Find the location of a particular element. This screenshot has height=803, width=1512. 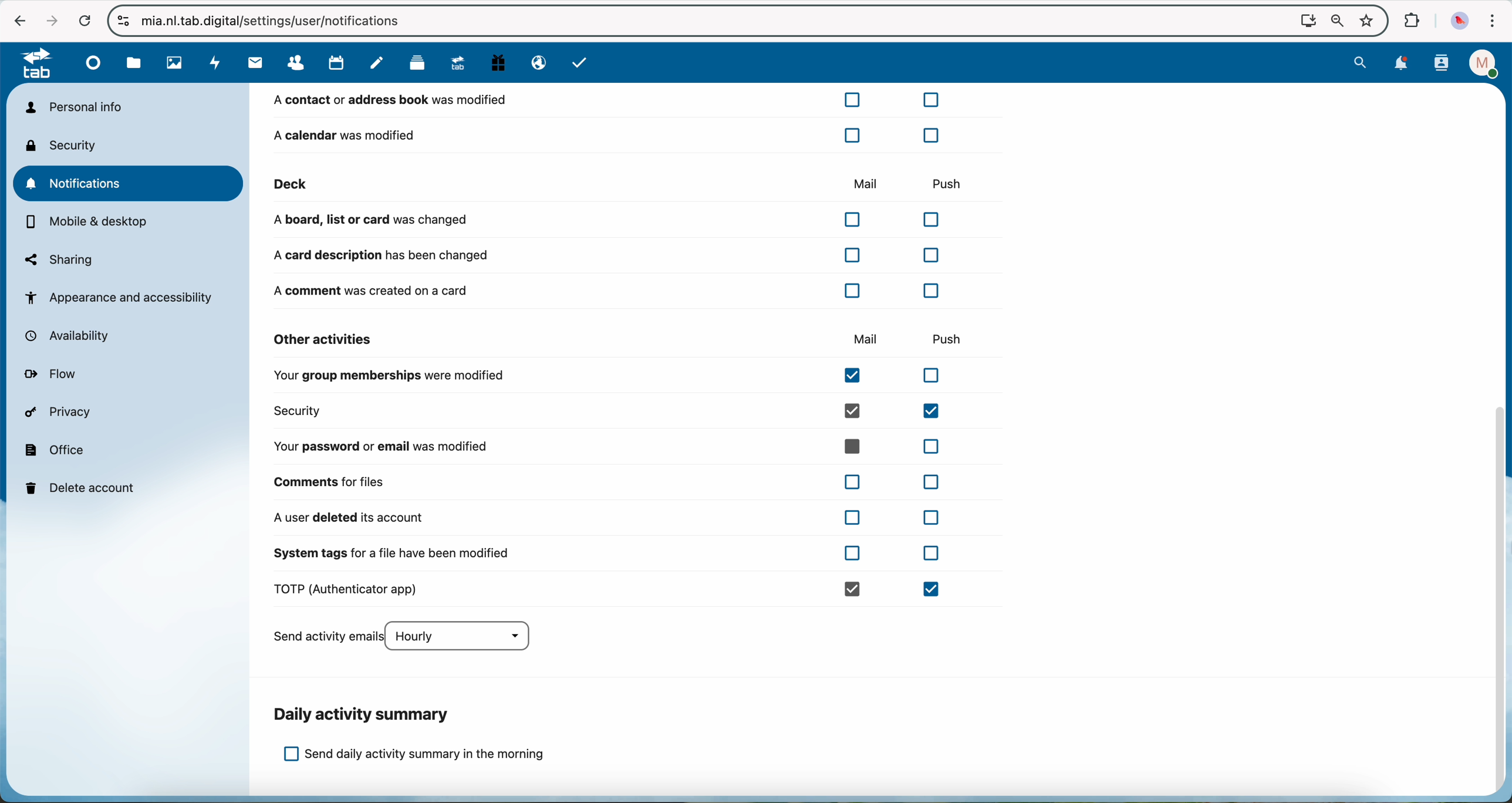

a calendar was modified is located at coordinates (606, 134).